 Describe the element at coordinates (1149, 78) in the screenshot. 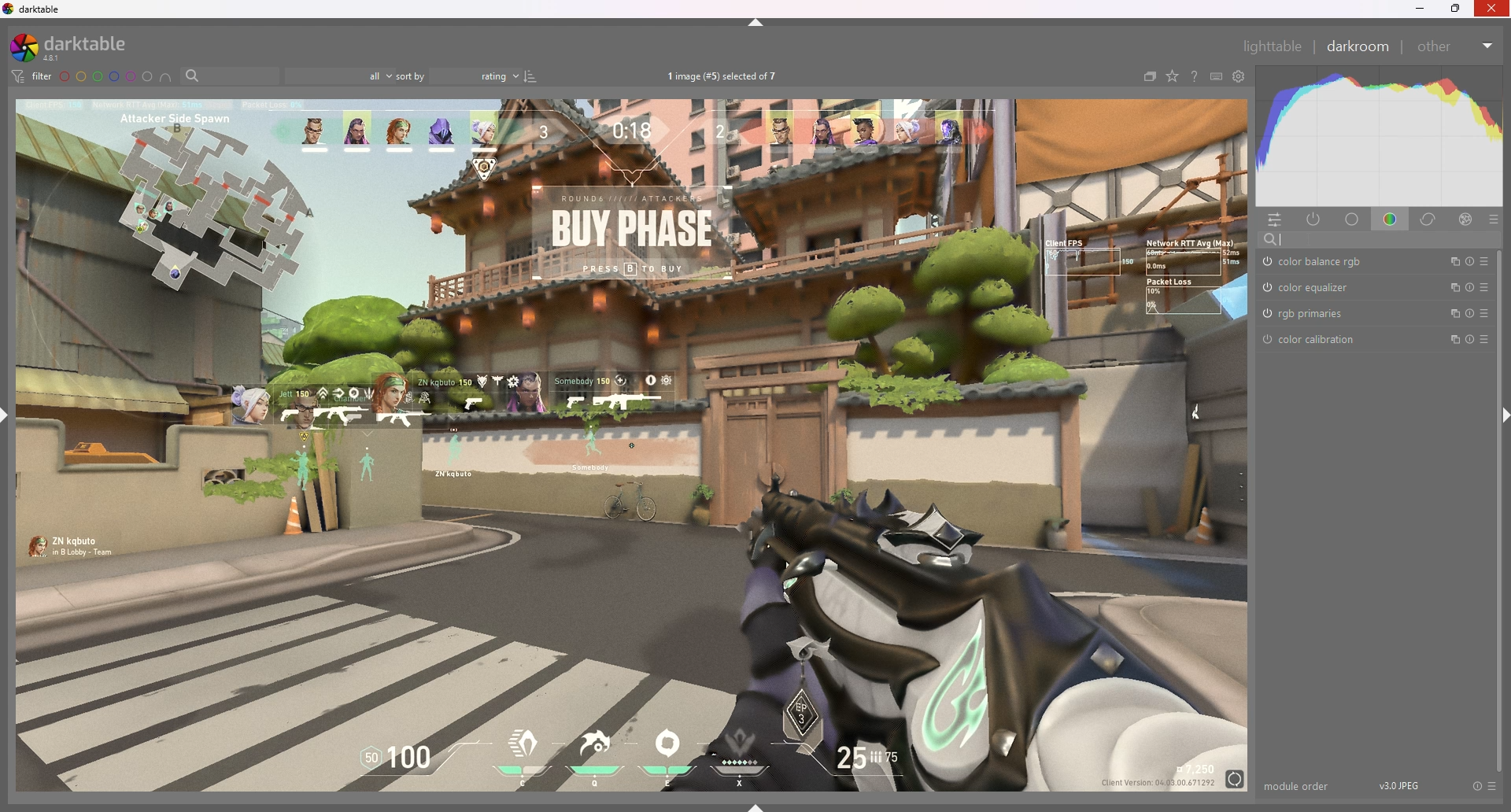

I see `collapse grouped images` at that location.